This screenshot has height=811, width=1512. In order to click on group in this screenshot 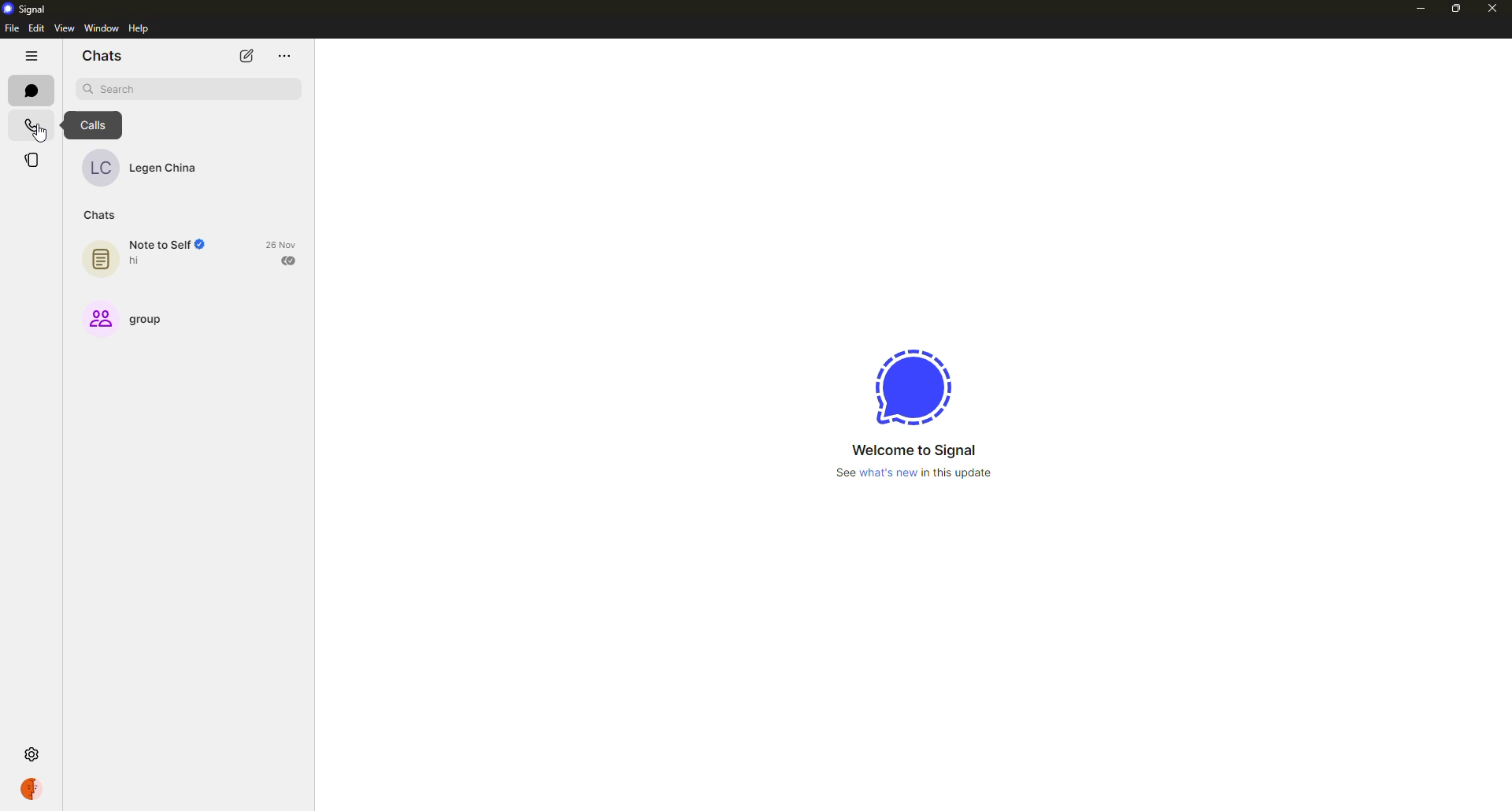, I will do `click(139, 317)`.